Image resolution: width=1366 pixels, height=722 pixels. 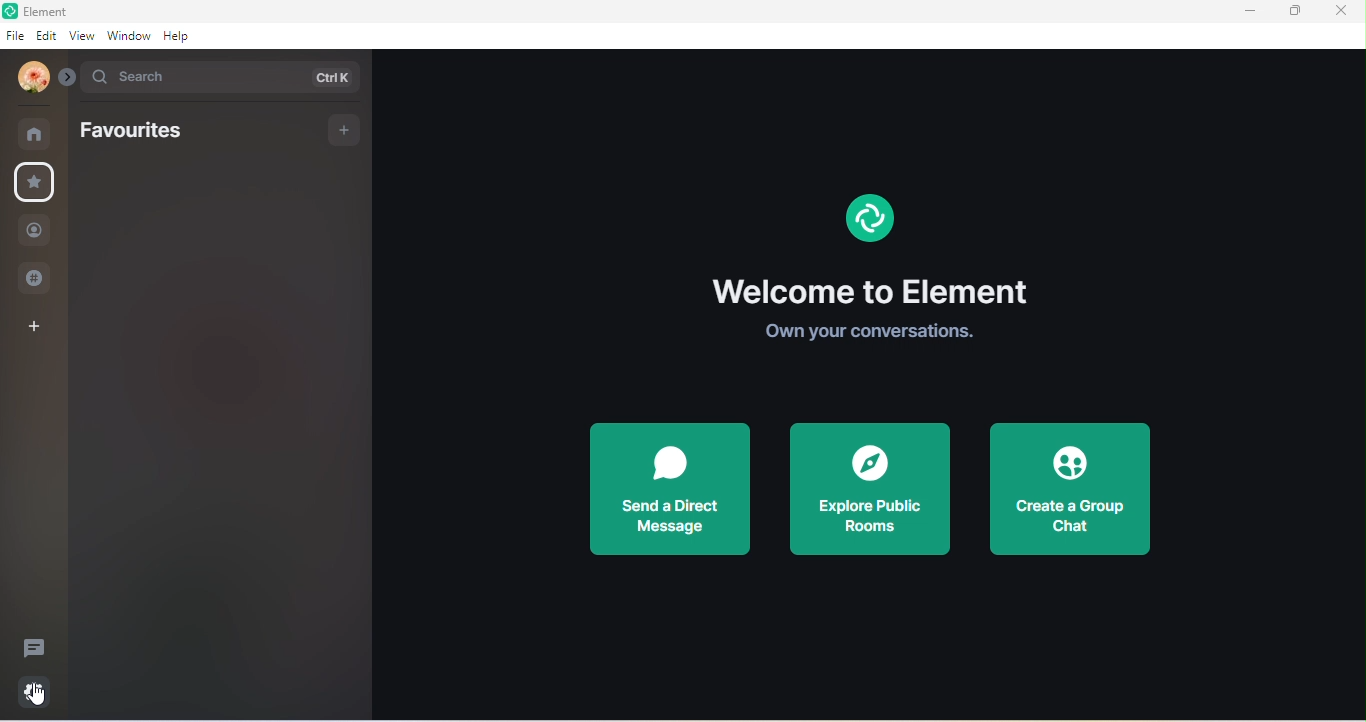 What do you see at coordinates (1246, 12) in the screenshot?
I see `minimize` at bounding box center [1246, 12].